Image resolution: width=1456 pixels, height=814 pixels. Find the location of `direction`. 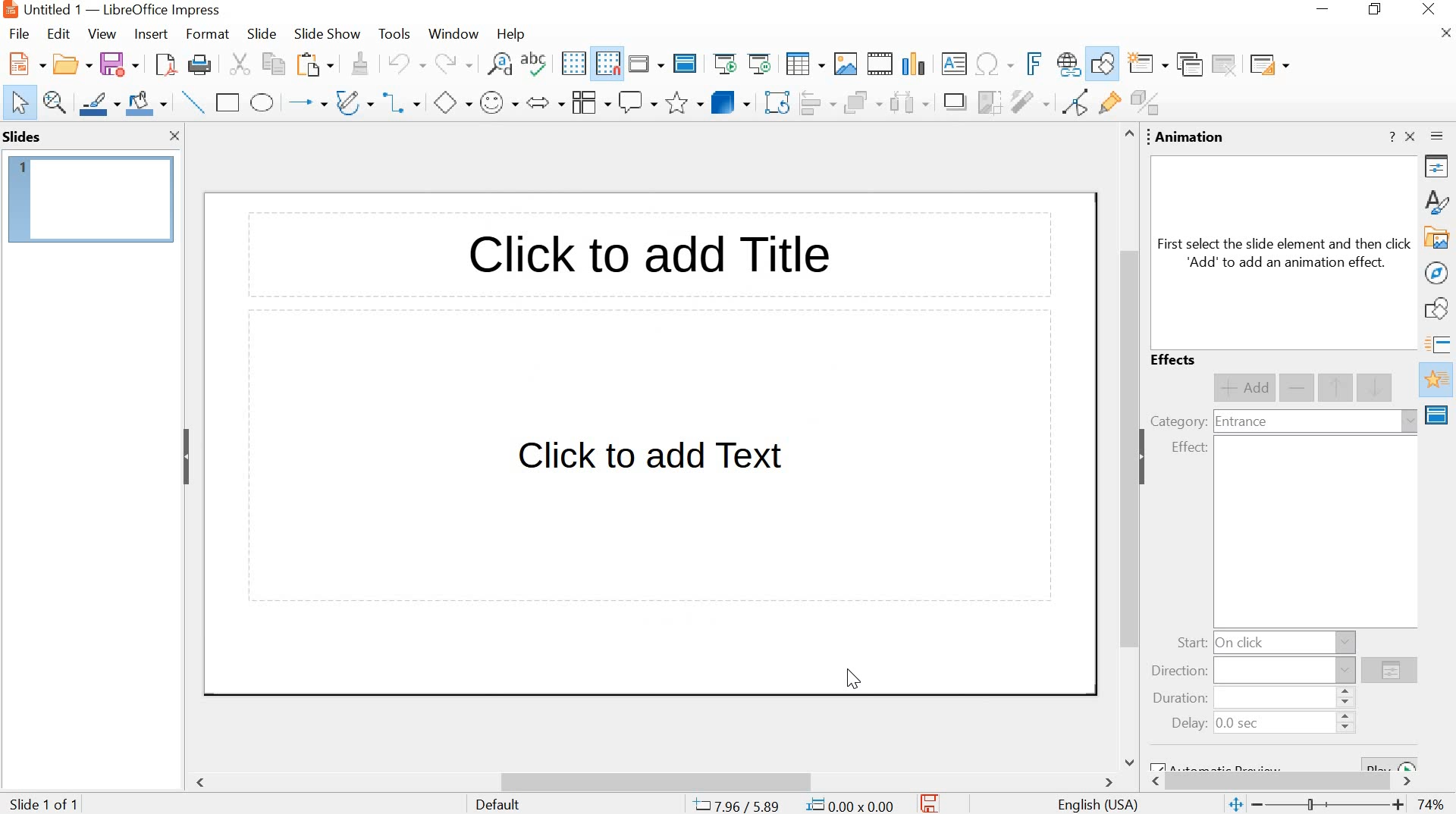

direction is located at coordinates (1180, 672).